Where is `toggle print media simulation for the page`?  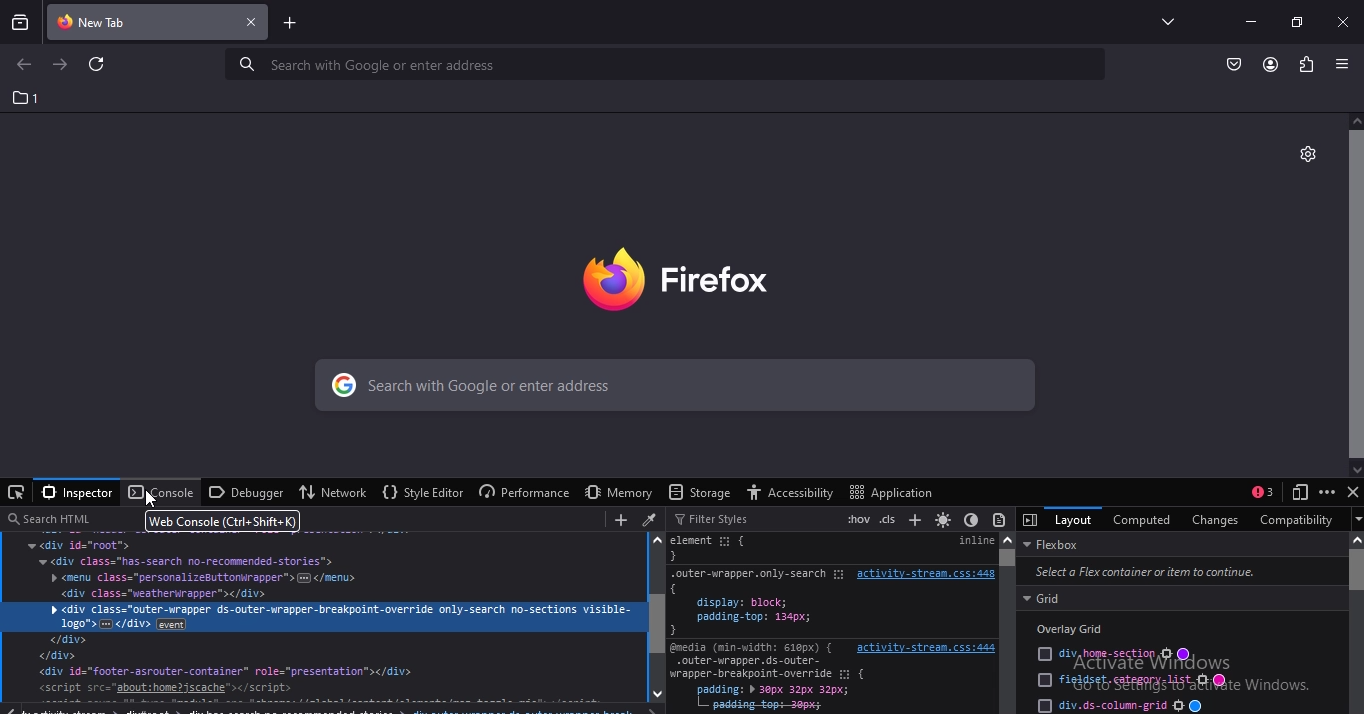
toggle print media simulation for the page is located at coordinates (1000, 519).